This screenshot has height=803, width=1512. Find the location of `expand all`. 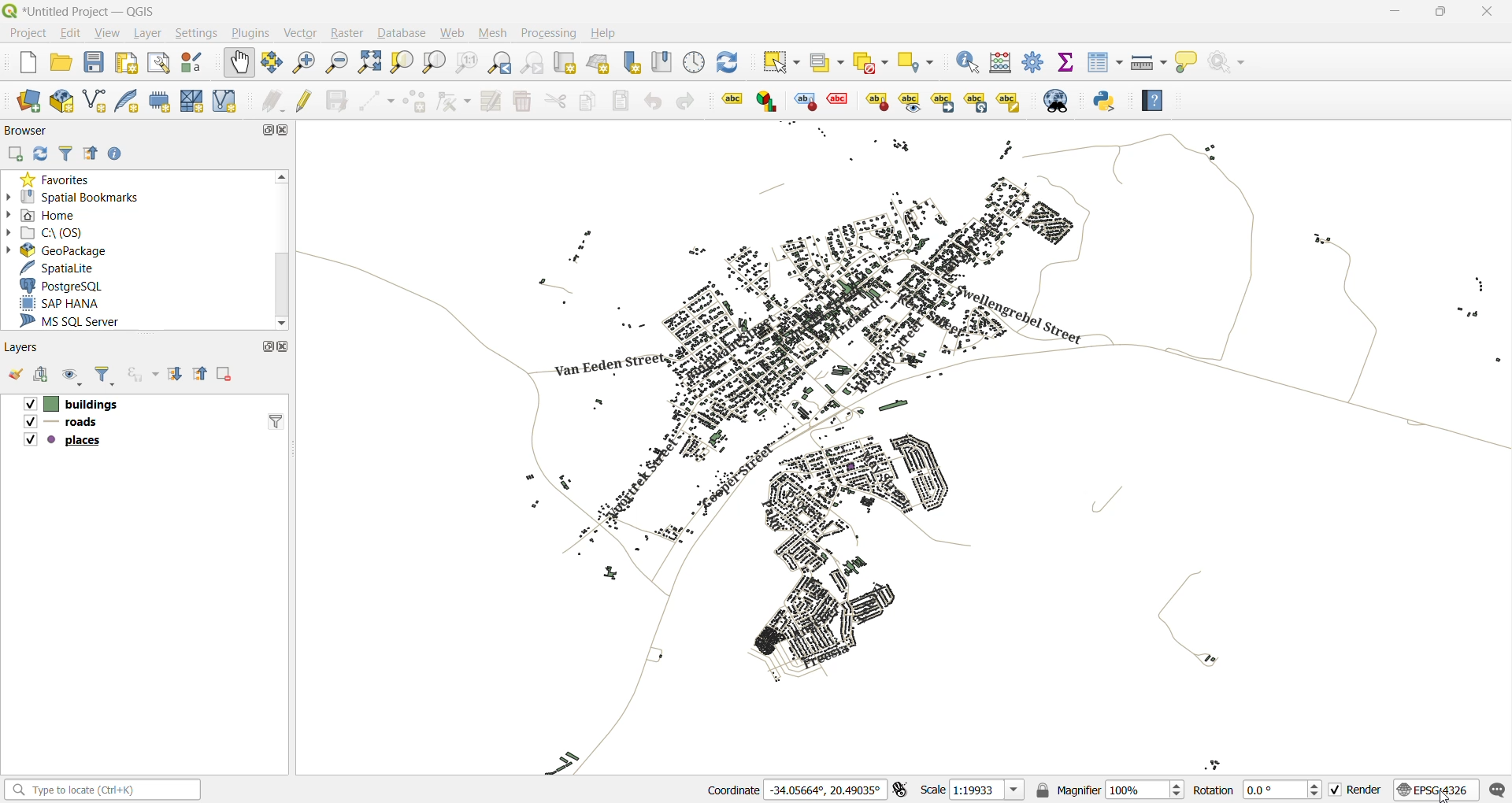

expand all is located at coordinates (175, 372).